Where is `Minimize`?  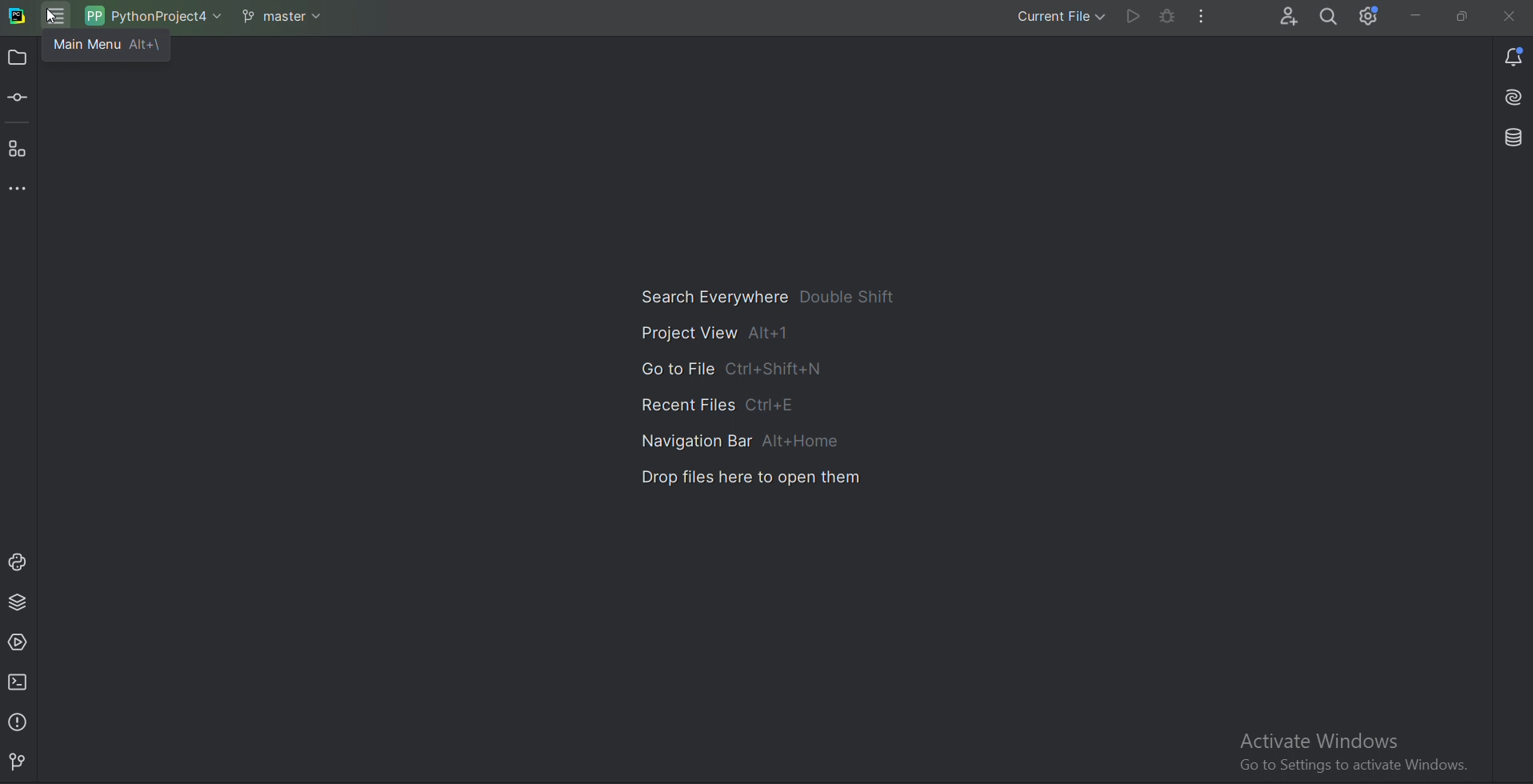
Minimize is located at coordinates (1417, 16).